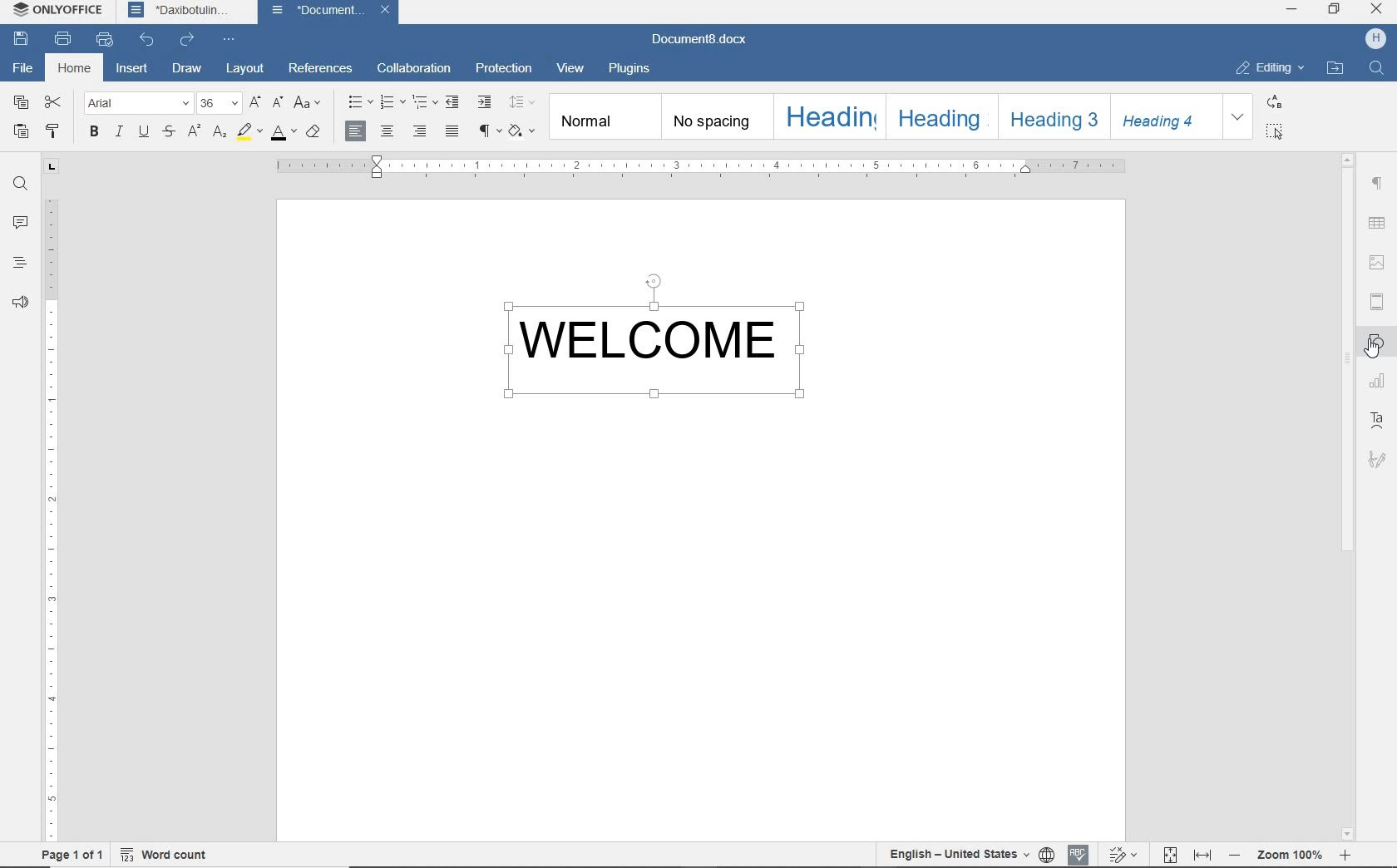 The width and height of the screenshot is (1397, 868). What do you see at coordinates (118, 131) in the screenshot?
I see `ITALIC` at bounding box center [118, 131].